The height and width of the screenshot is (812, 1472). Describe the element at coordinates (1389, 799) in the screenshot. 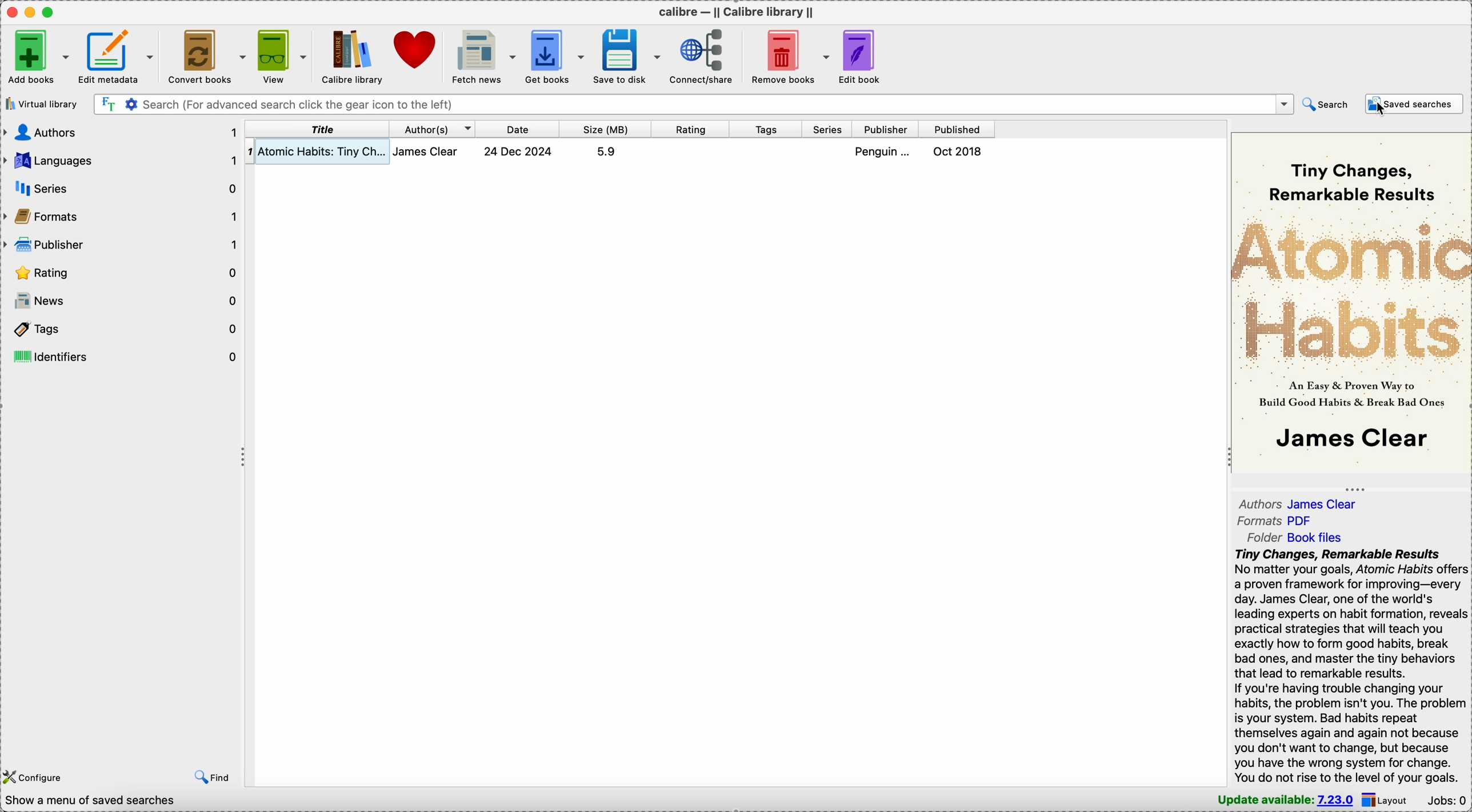

I see `layout` at that location.